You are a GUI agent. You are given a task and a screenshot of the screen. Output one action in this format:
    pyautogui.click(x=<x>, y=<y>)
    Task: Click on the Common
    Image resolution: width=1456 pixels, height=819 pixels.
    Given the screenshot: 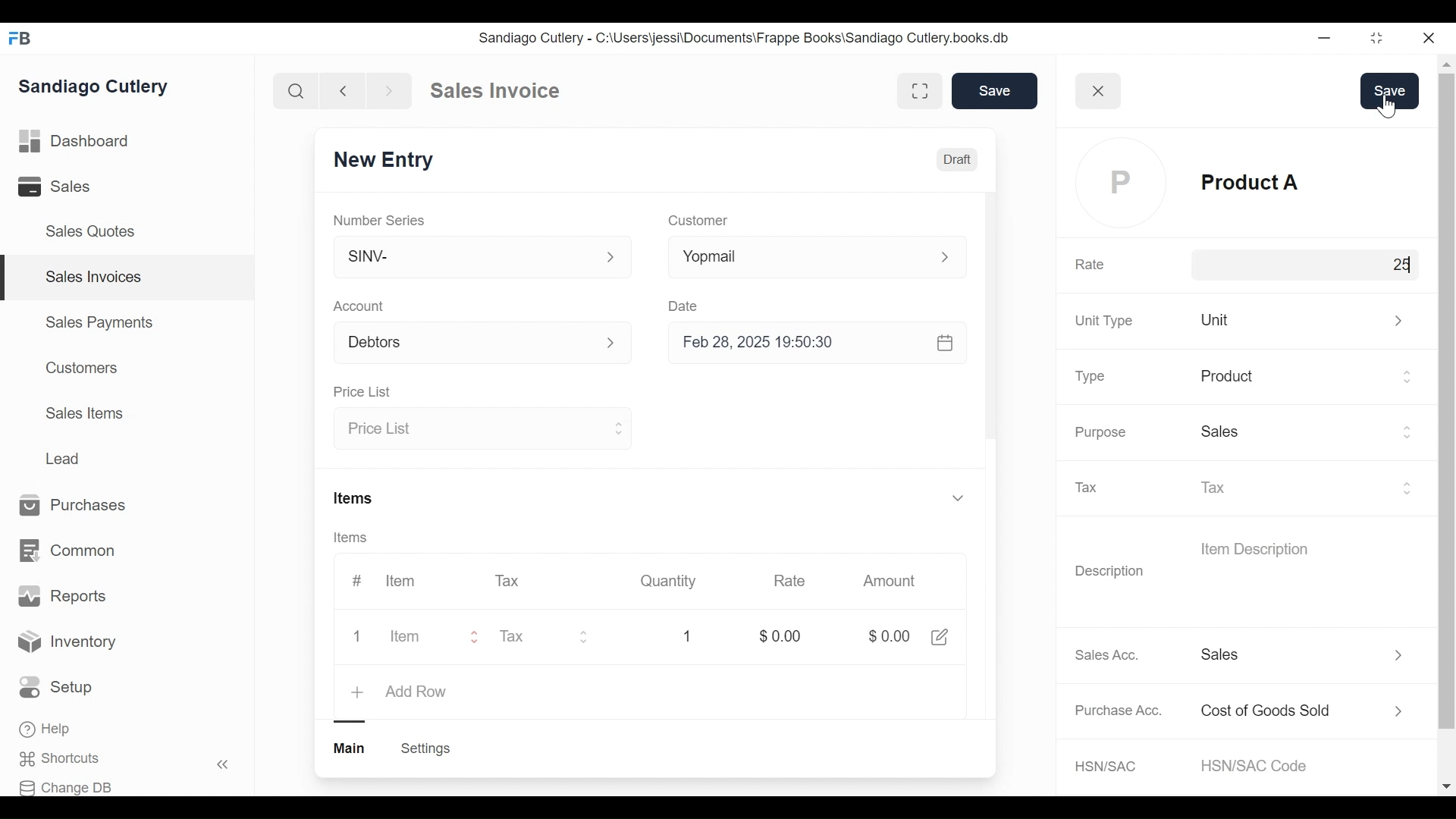 What is the action you would take?
    pyautogui.click(x=70, y=551)
    